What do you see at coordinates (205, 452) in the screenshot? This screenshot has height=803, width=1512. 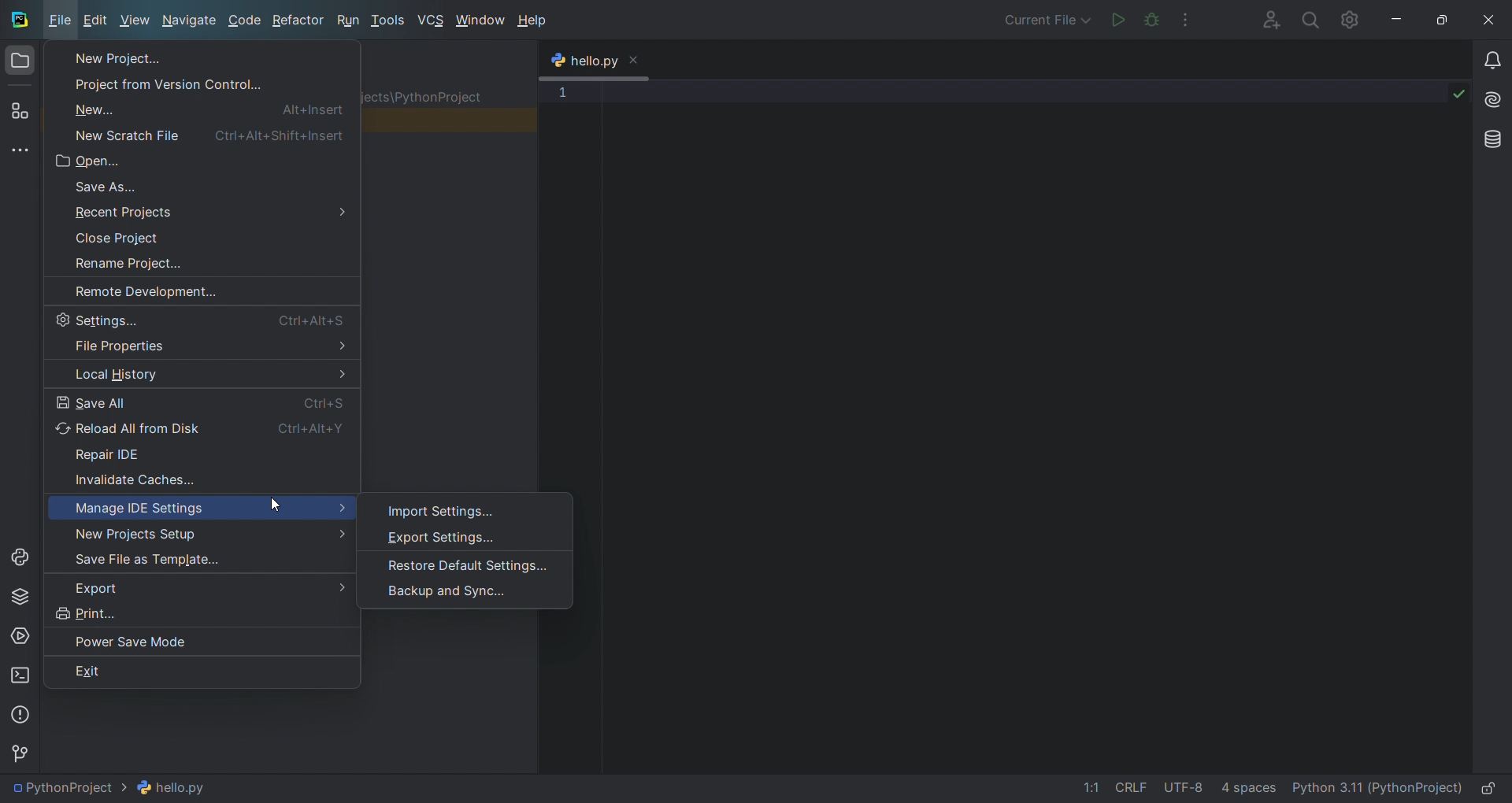 I see `repair ide` at bounding box center [205, 452].